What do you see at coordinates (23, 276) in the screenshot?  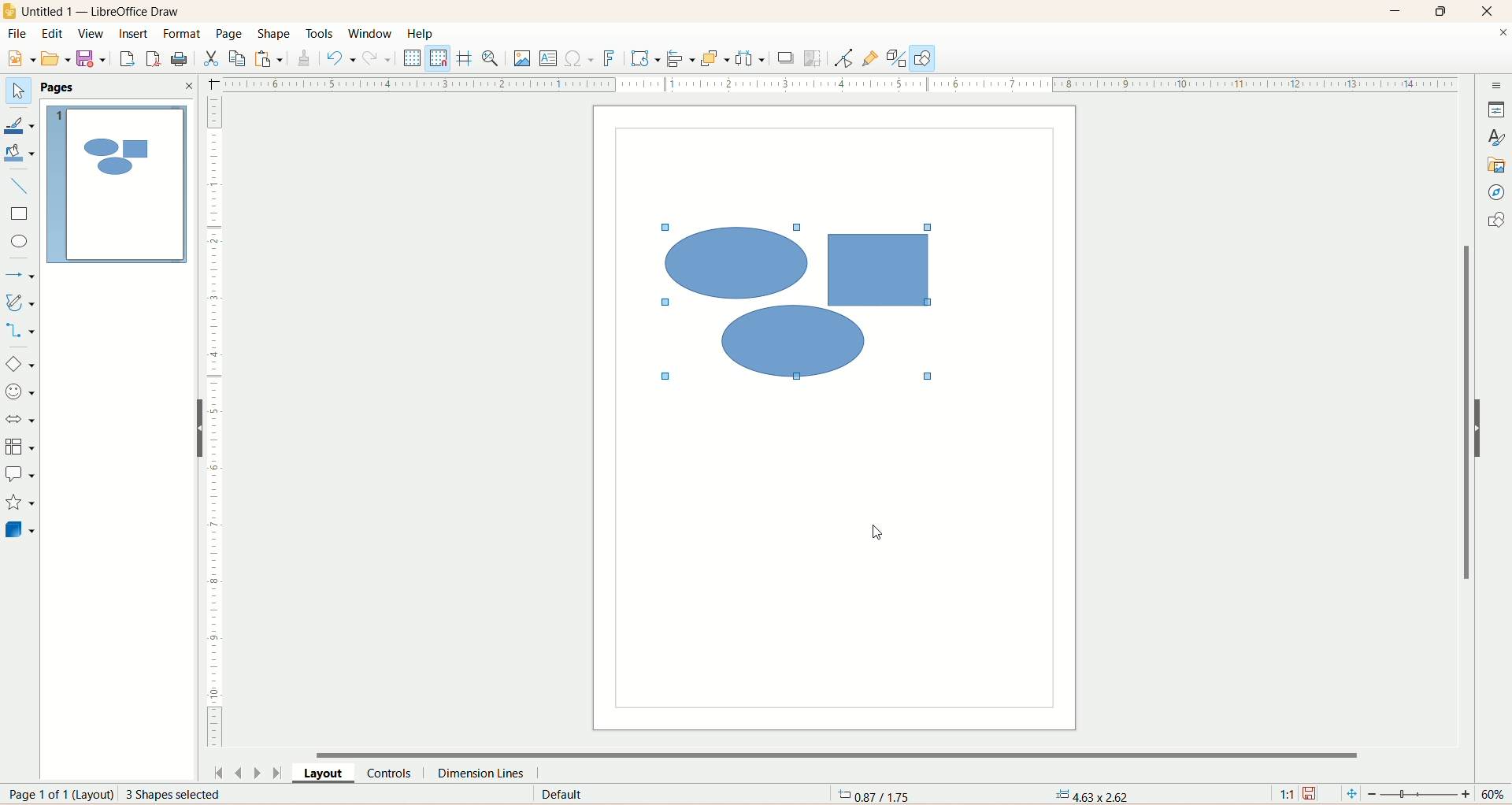 I see `lines and arrows` at bounding box center [23, 276].